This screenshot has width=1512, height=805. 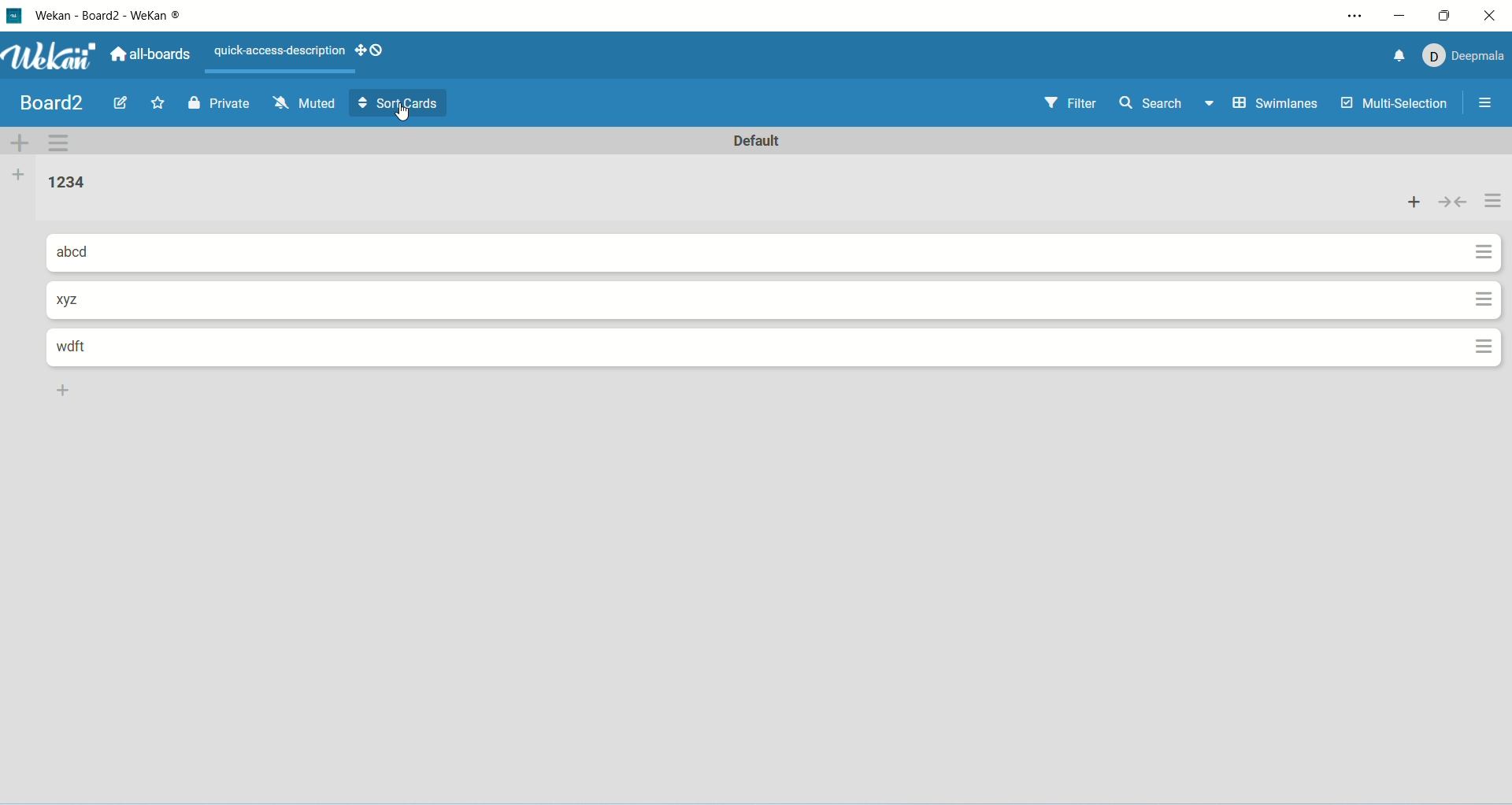 I want to click on card title, so click(x=81, y=252).